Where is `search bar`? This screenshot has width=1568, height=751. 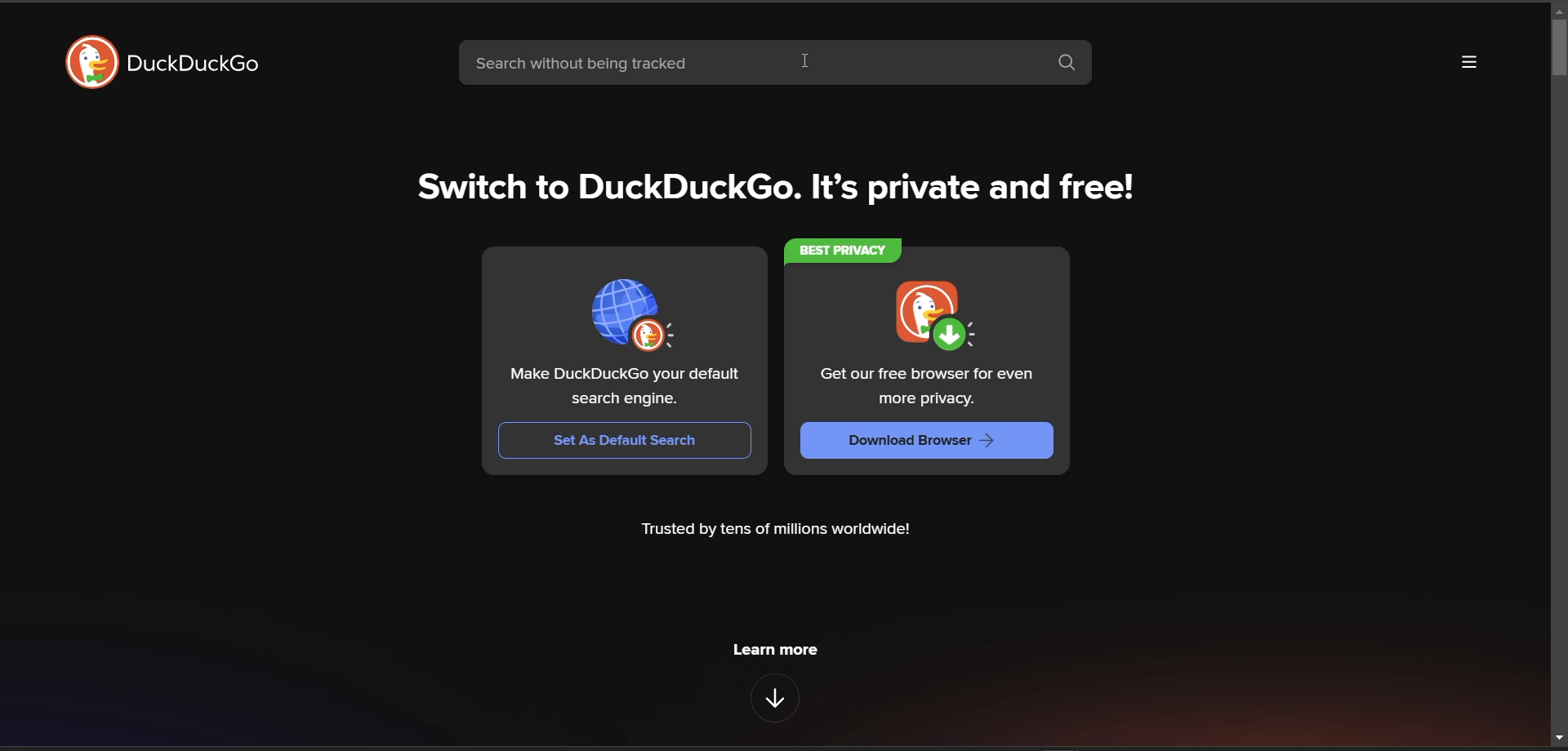 search bar is located at coordinates (747, 64).